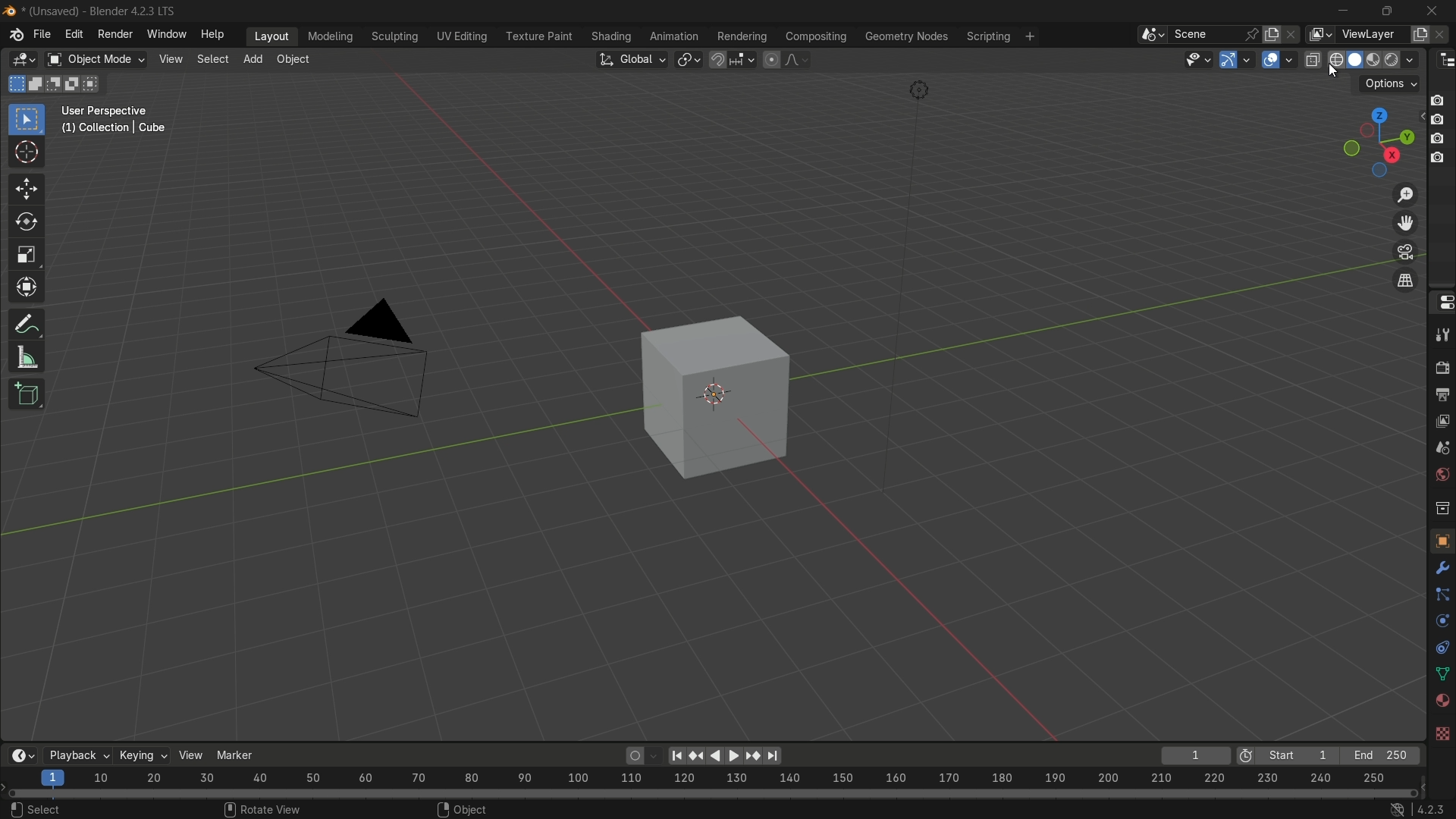  I want to click on modeling menu, so click(329, 34).